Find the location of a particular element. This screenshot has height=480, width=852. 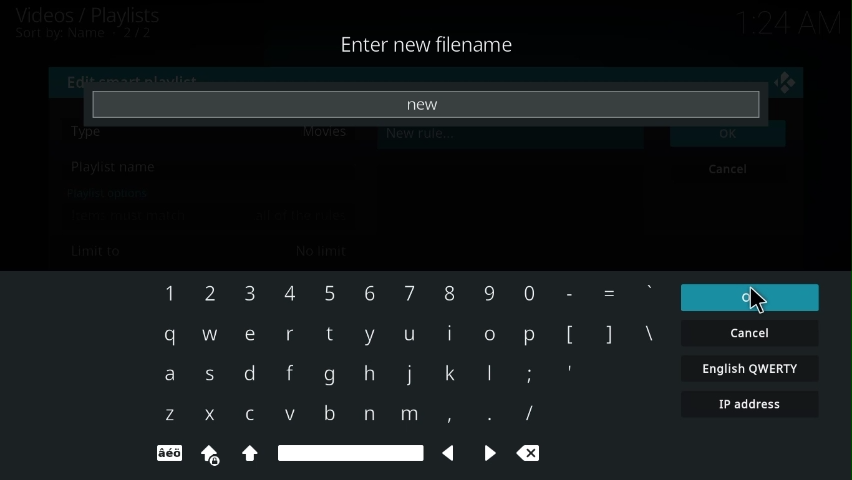

edit smart playlist is located at coordinates (142, 83).